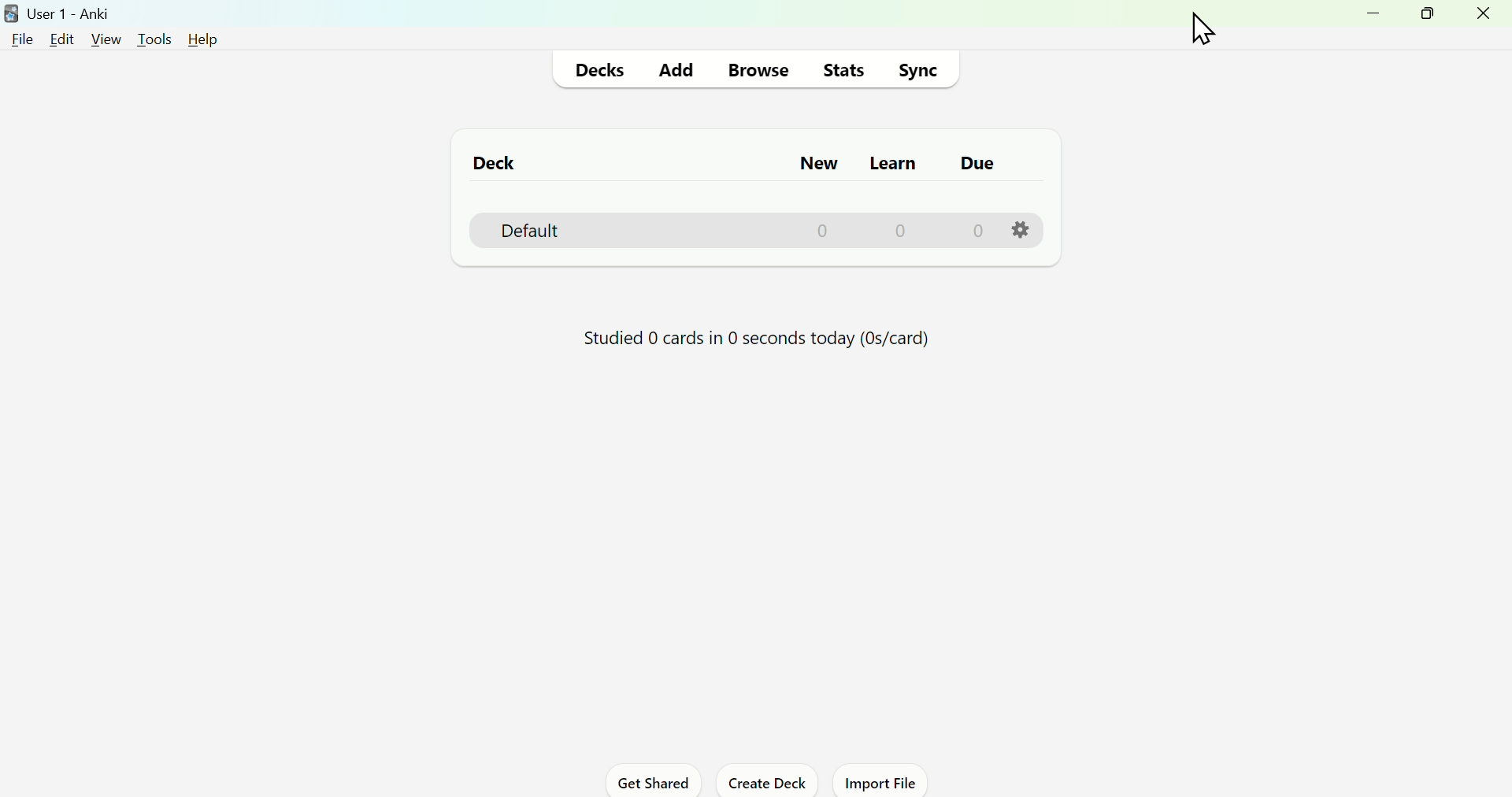 The height and width of the screenshot is (797, 1512). What do you see at coordinates (902, 229) in the screenshot?
I see `0` at bounding box center [902, 229].